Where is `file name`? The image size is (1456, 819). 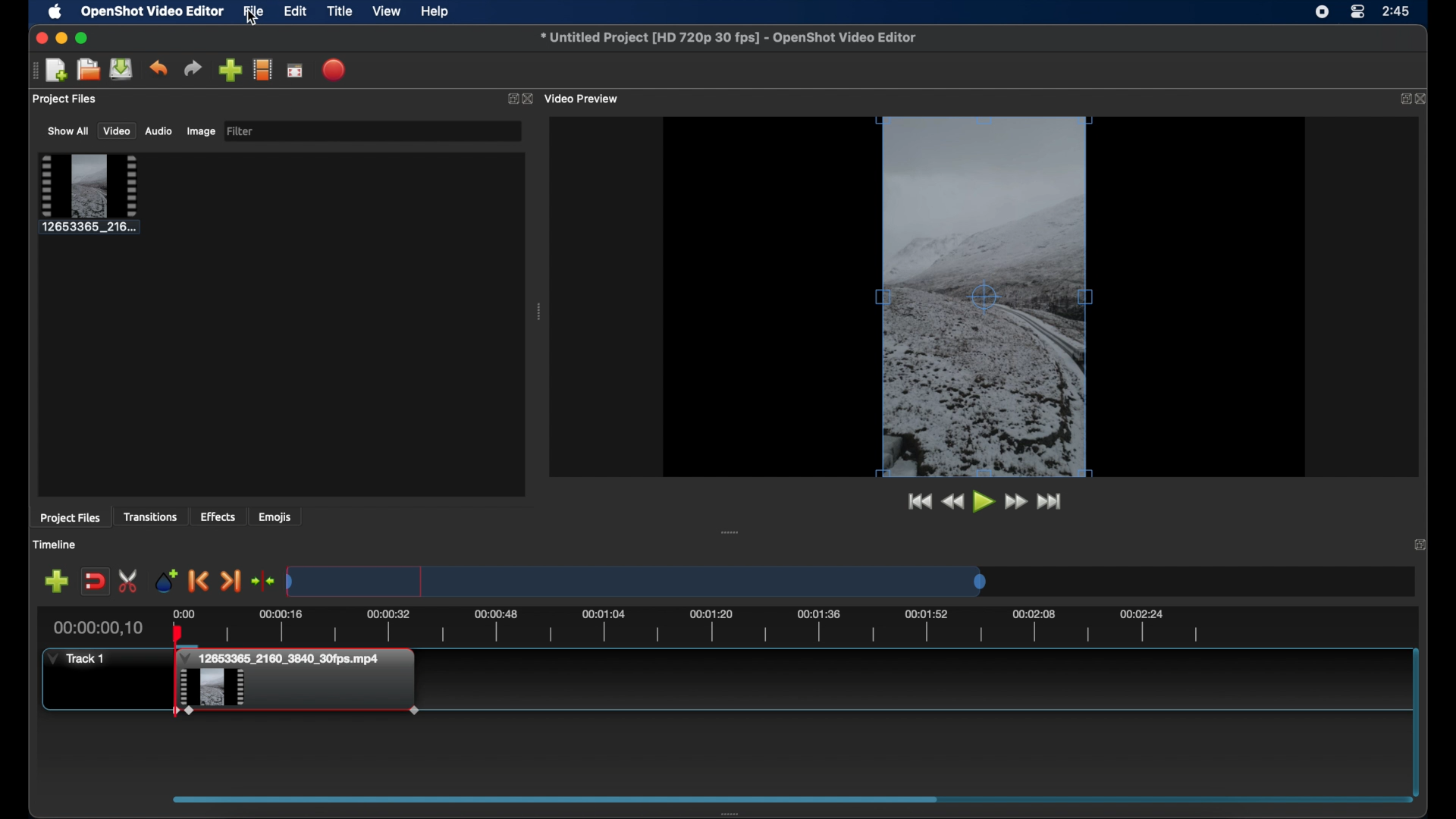
file name is located at coordinates (731, 38).